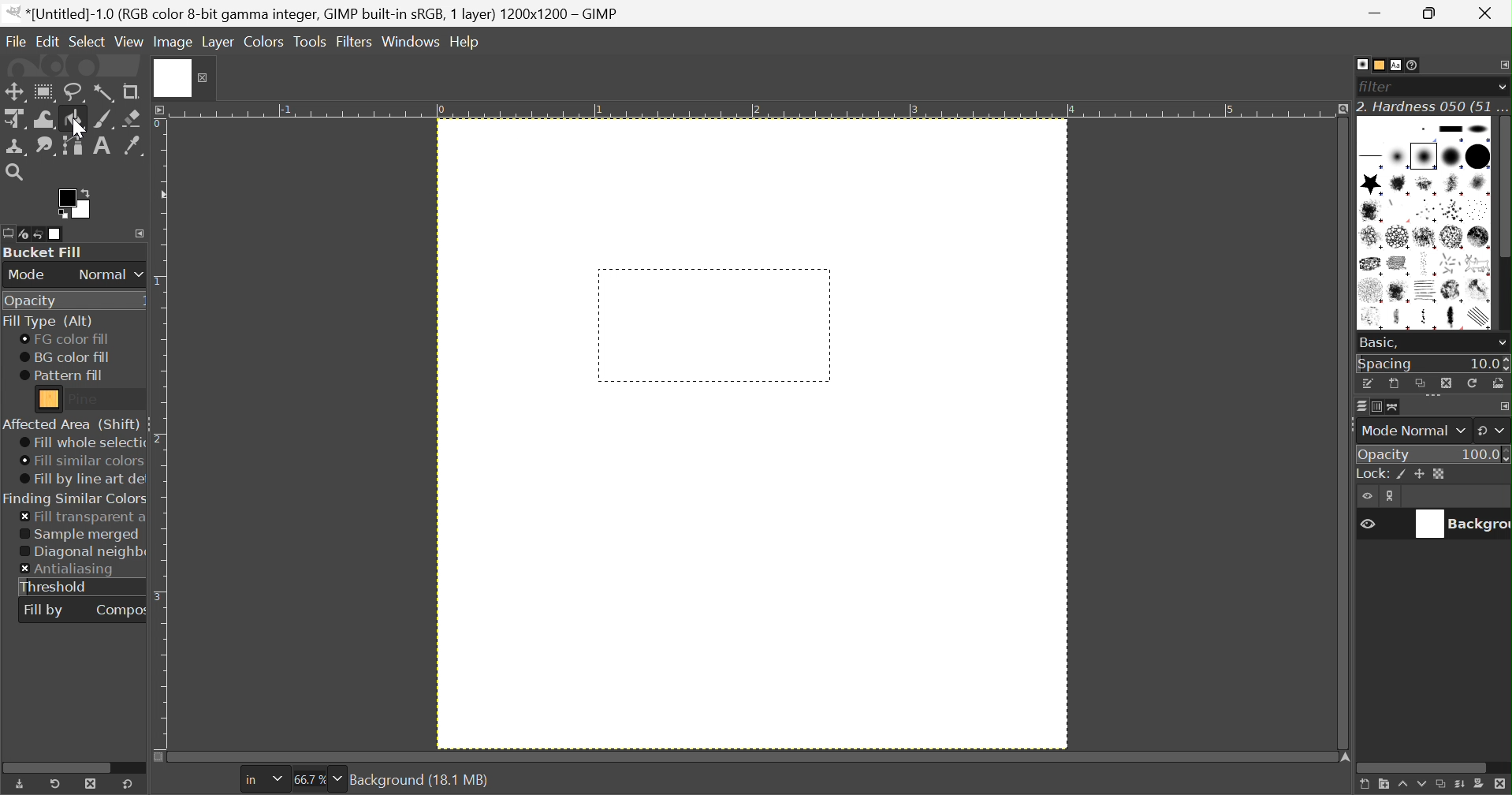 The image size is (1512, 795). I want to click on GEGL goat, so click(1478, 263).